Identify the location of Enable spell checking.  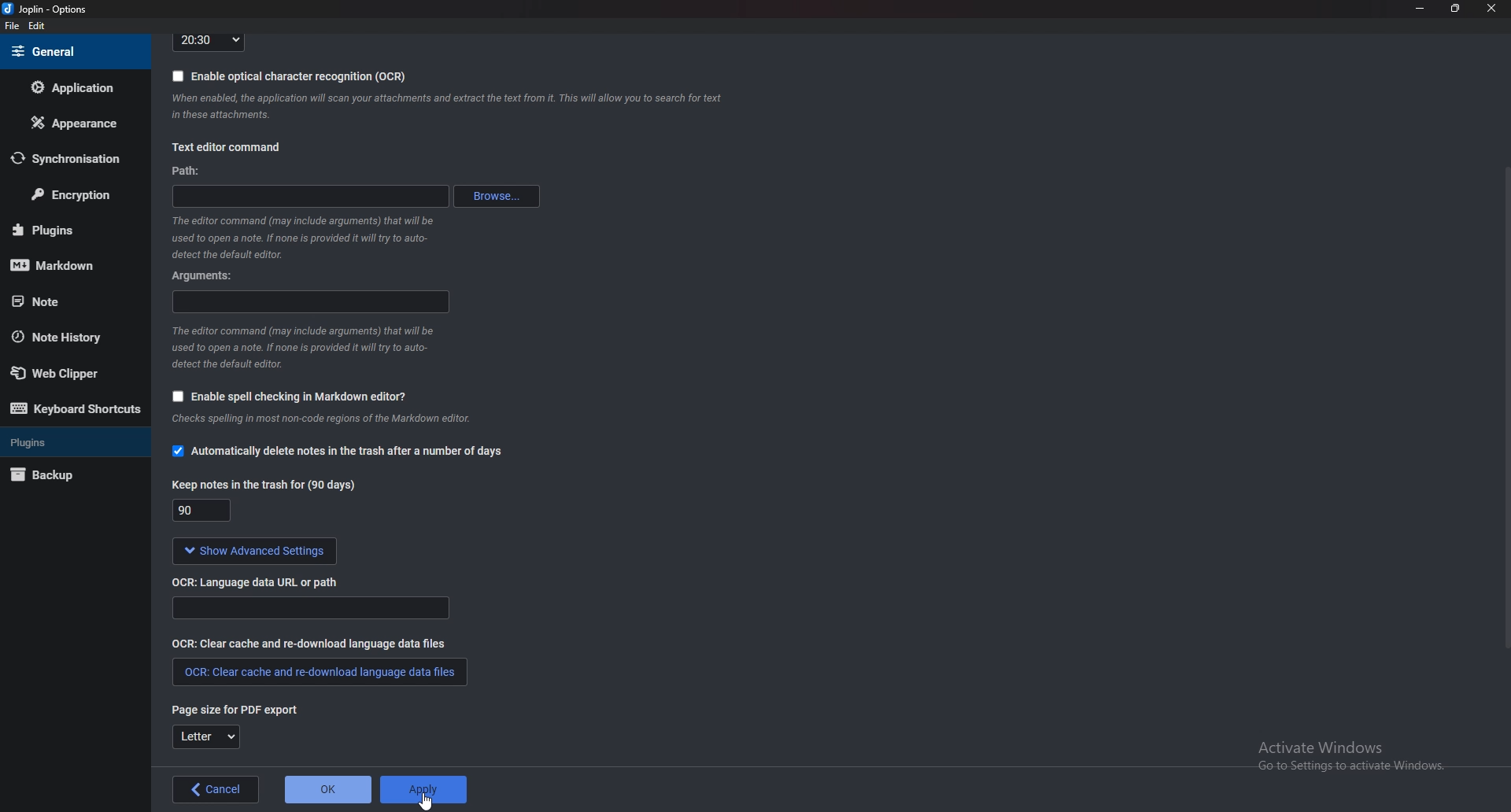
(285, 398).